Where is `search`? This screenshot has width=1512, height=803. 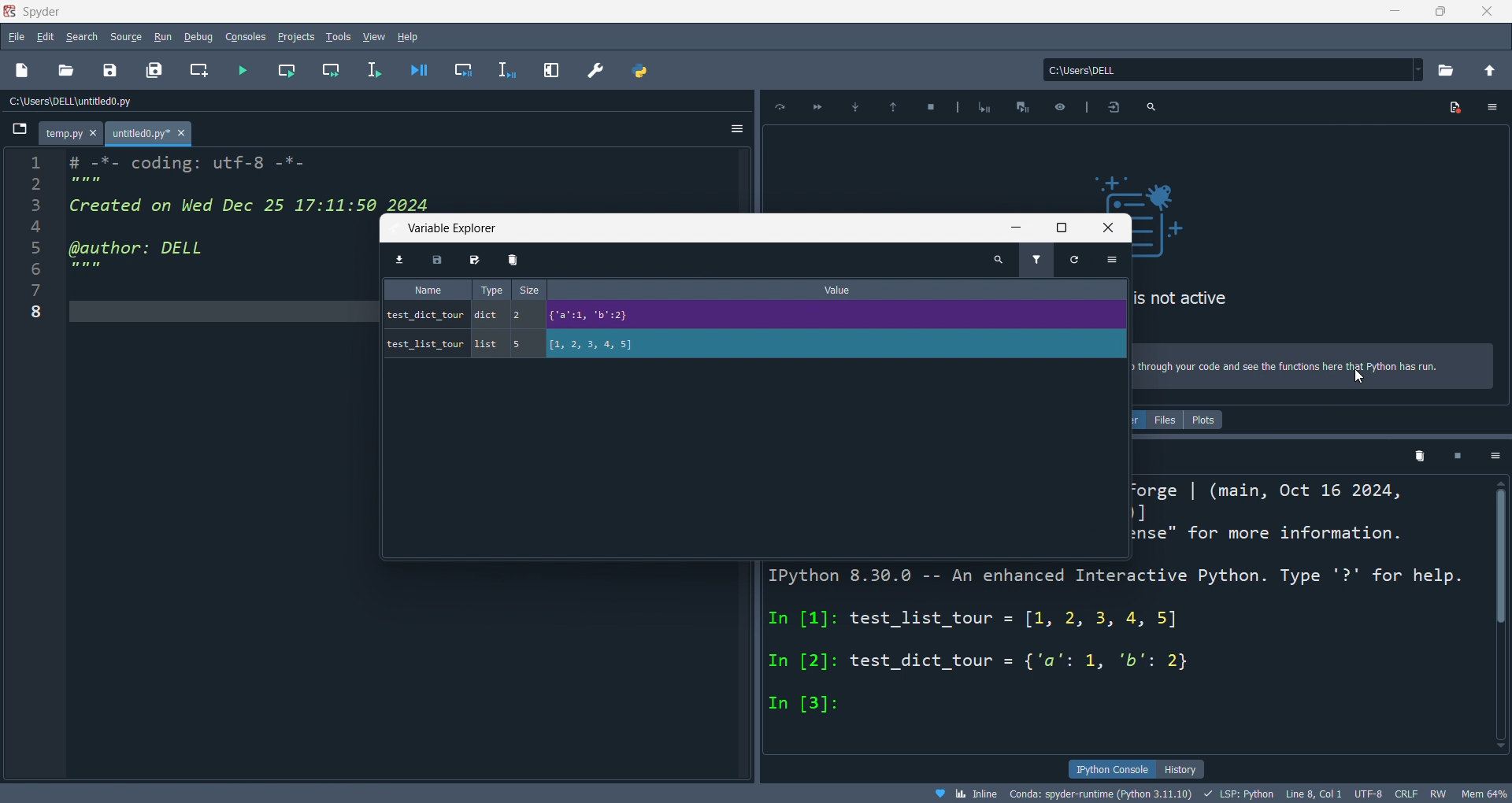 search is located at coordinates (80, 37).